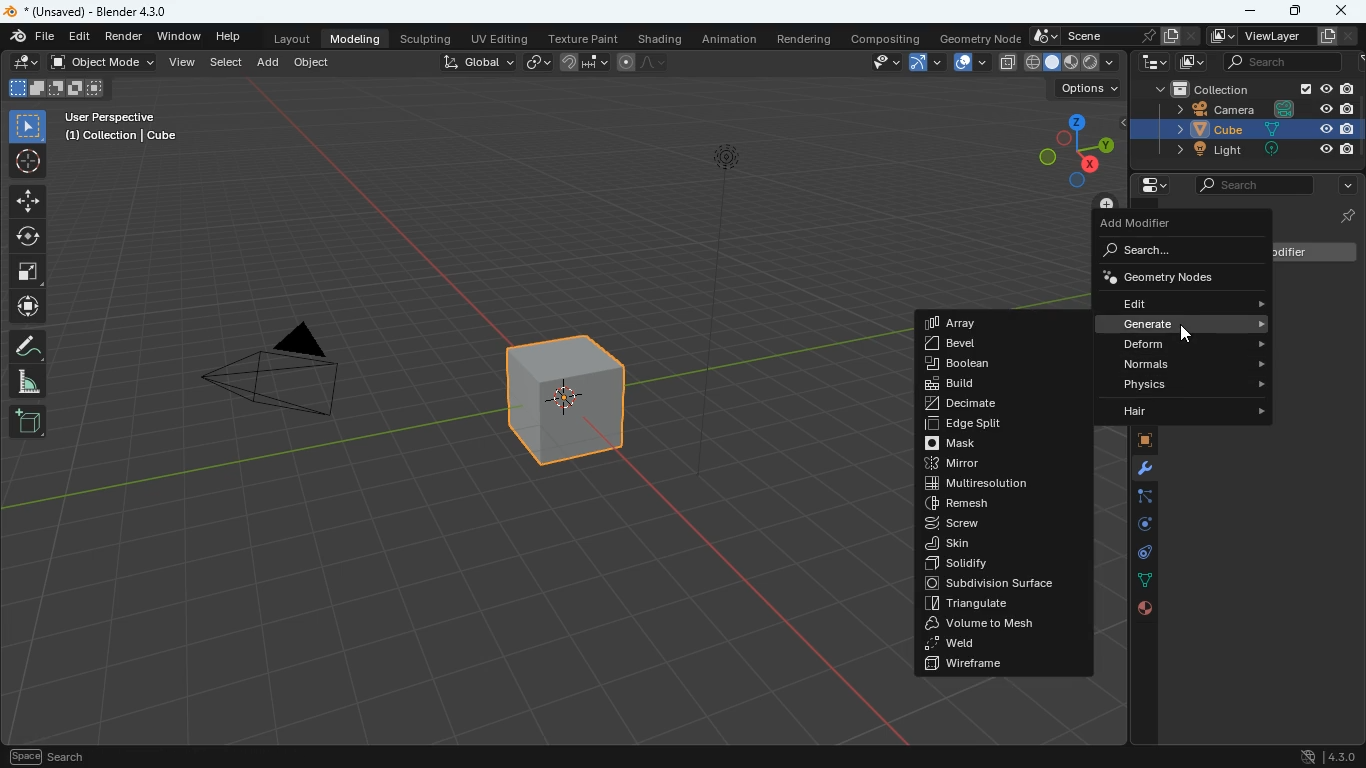 This screenshot has height=768, width=1366. I want to click on physics, so click(1191, 384).